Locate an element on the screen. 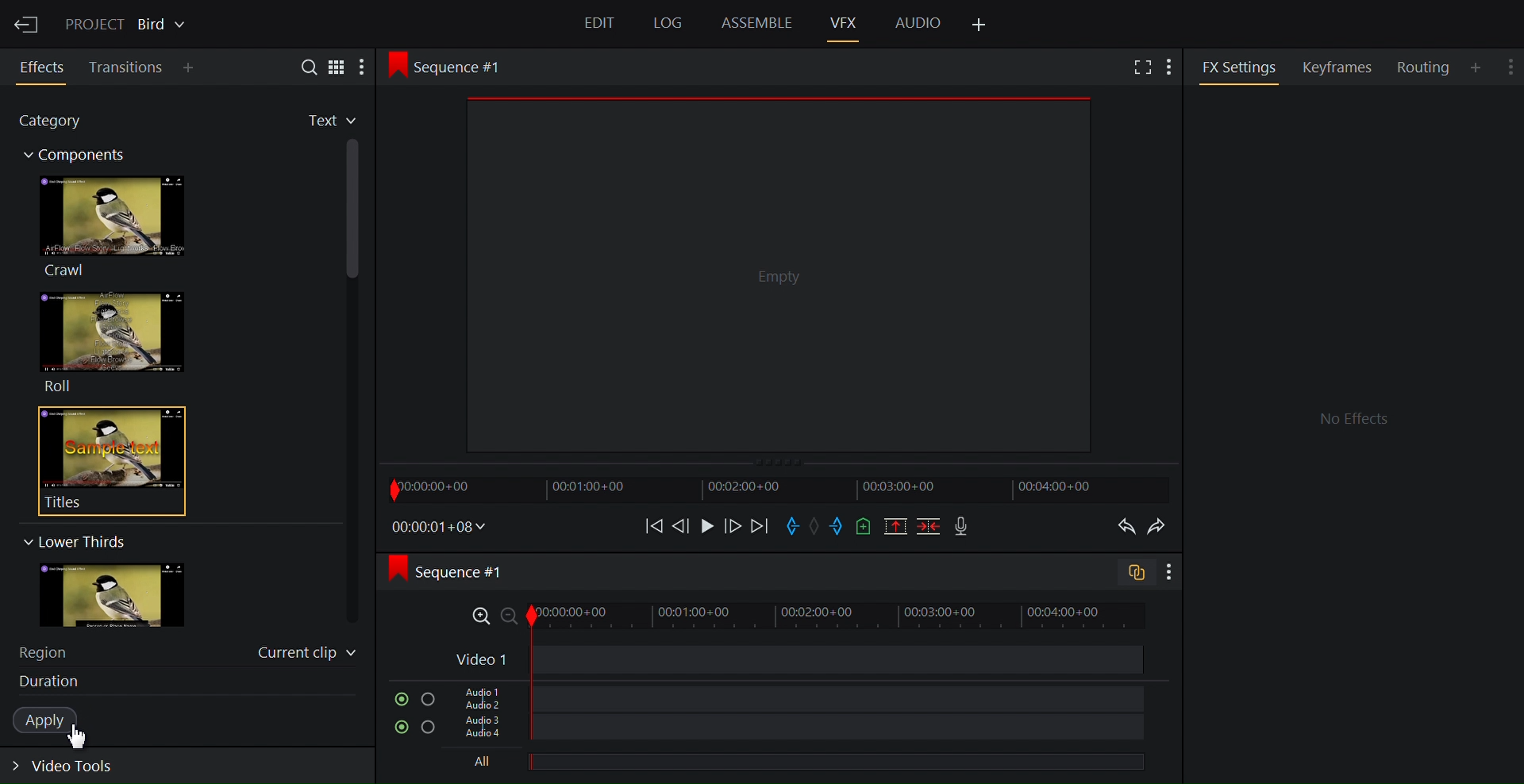  Sequence is located at coordinates (462, 65).